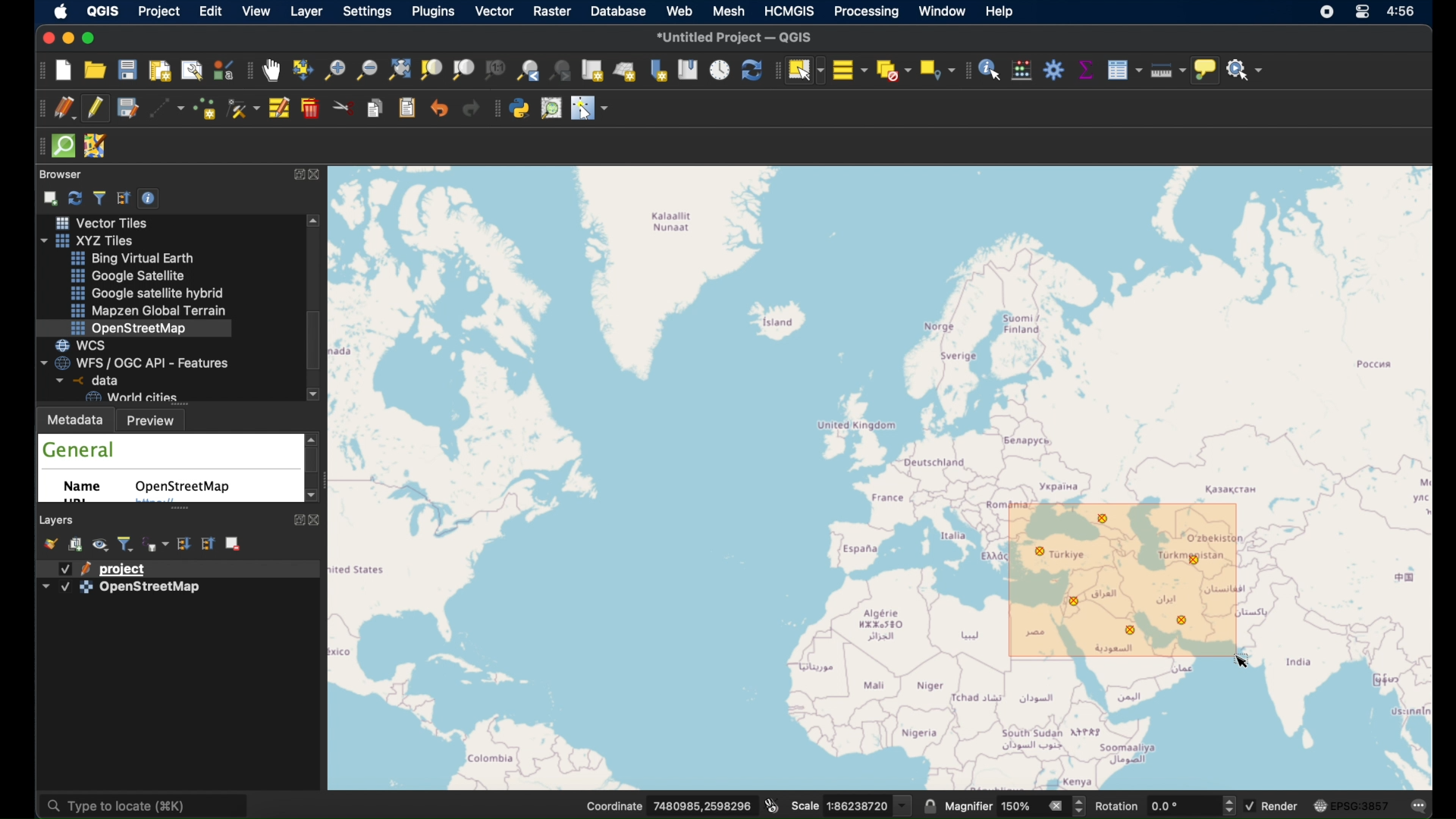 This screenshot has height=819, width=1456. Describe the element at coordinates (93, 38) in the screenshot. I see `maximize` at that location.